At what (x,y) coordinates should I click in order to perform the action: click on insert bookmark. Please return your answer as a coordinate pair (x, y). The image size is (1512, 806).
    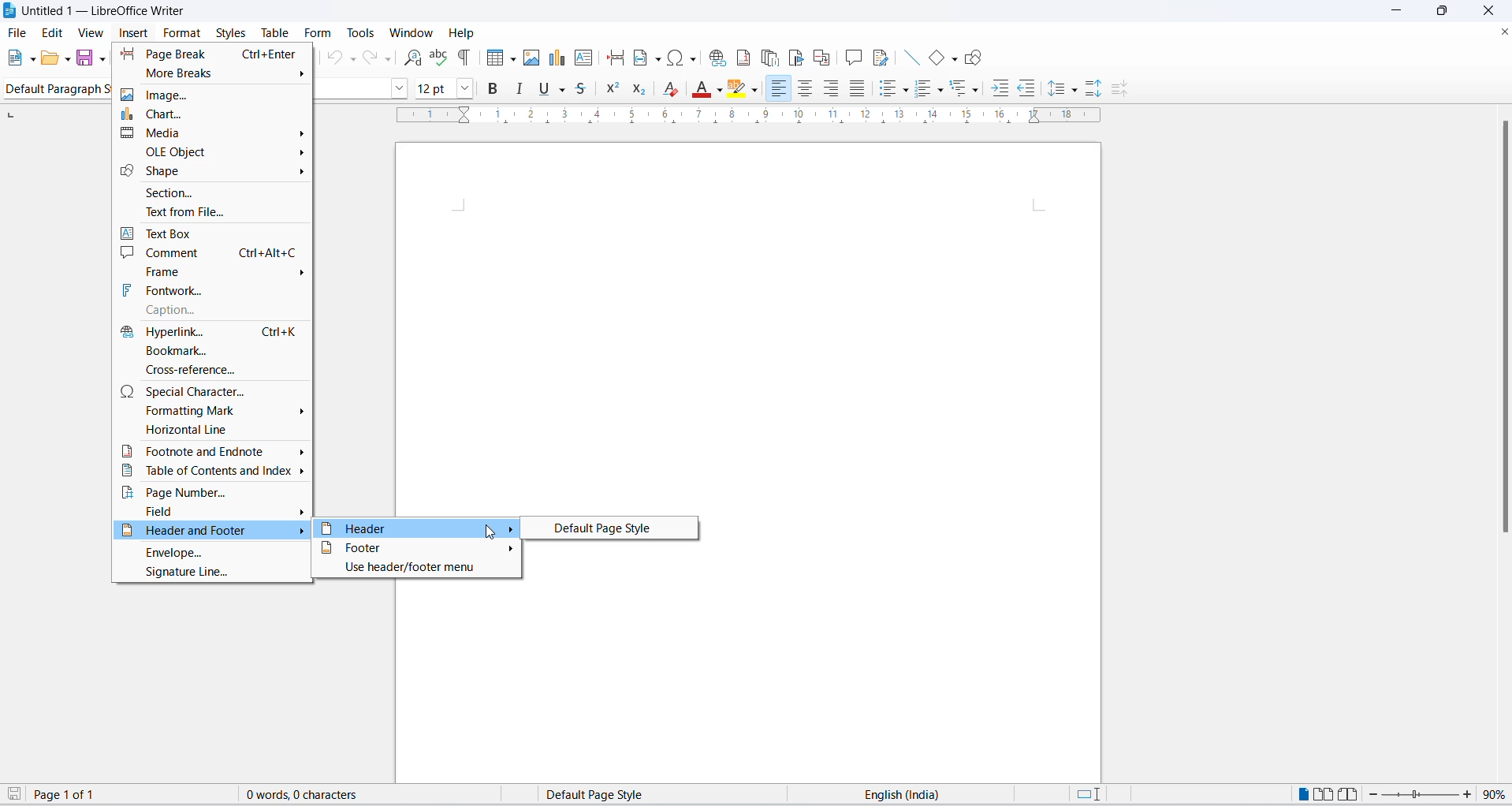
    Looking at the image, I should click on (795, 55).